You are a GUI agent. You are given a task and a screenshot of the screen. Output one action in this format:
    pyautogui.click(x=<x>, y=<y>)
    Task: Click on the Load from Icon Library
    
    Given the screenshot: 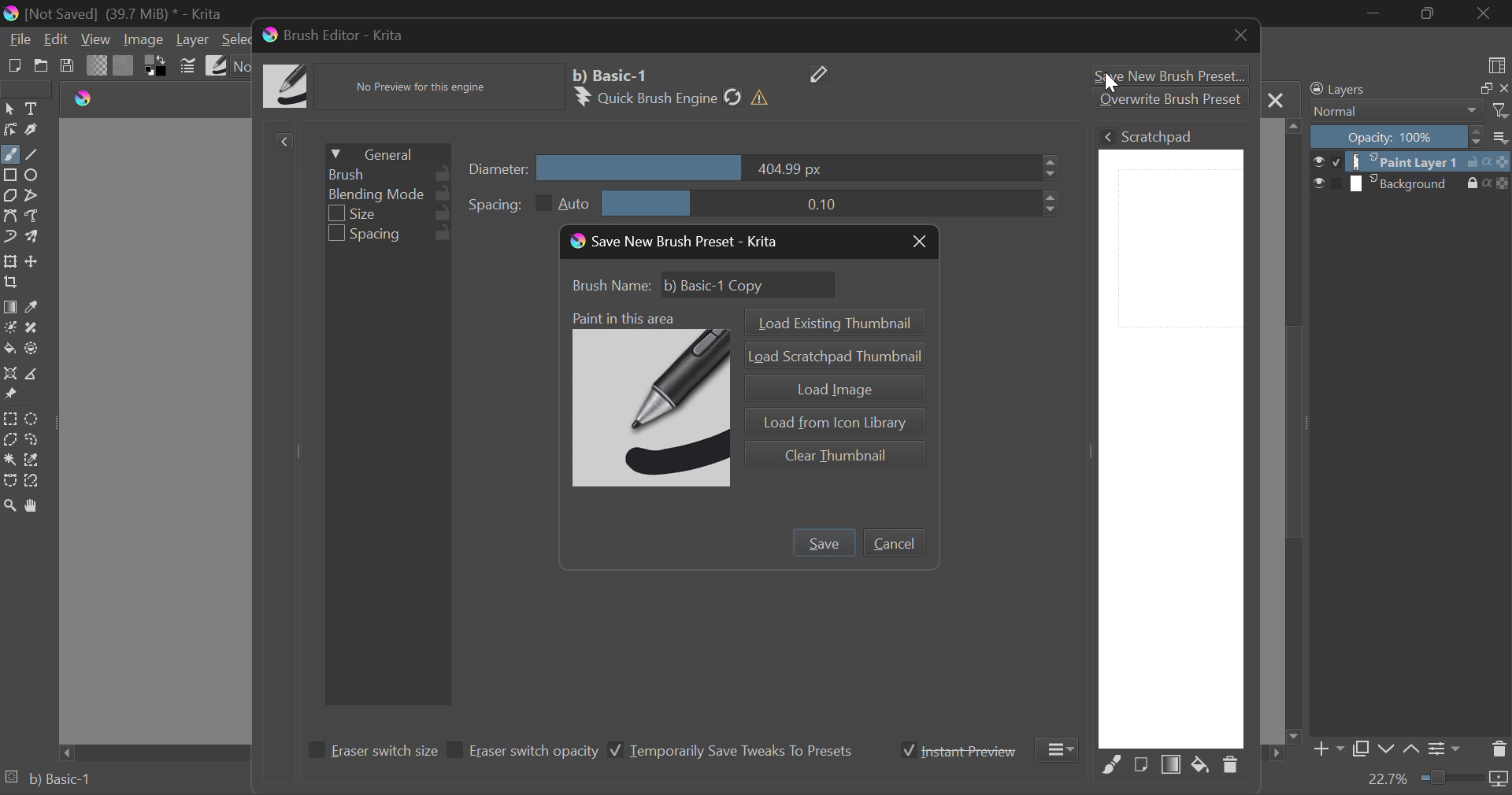 What is the action you would take?
    pyautogui.click(x=833, y=419)
    